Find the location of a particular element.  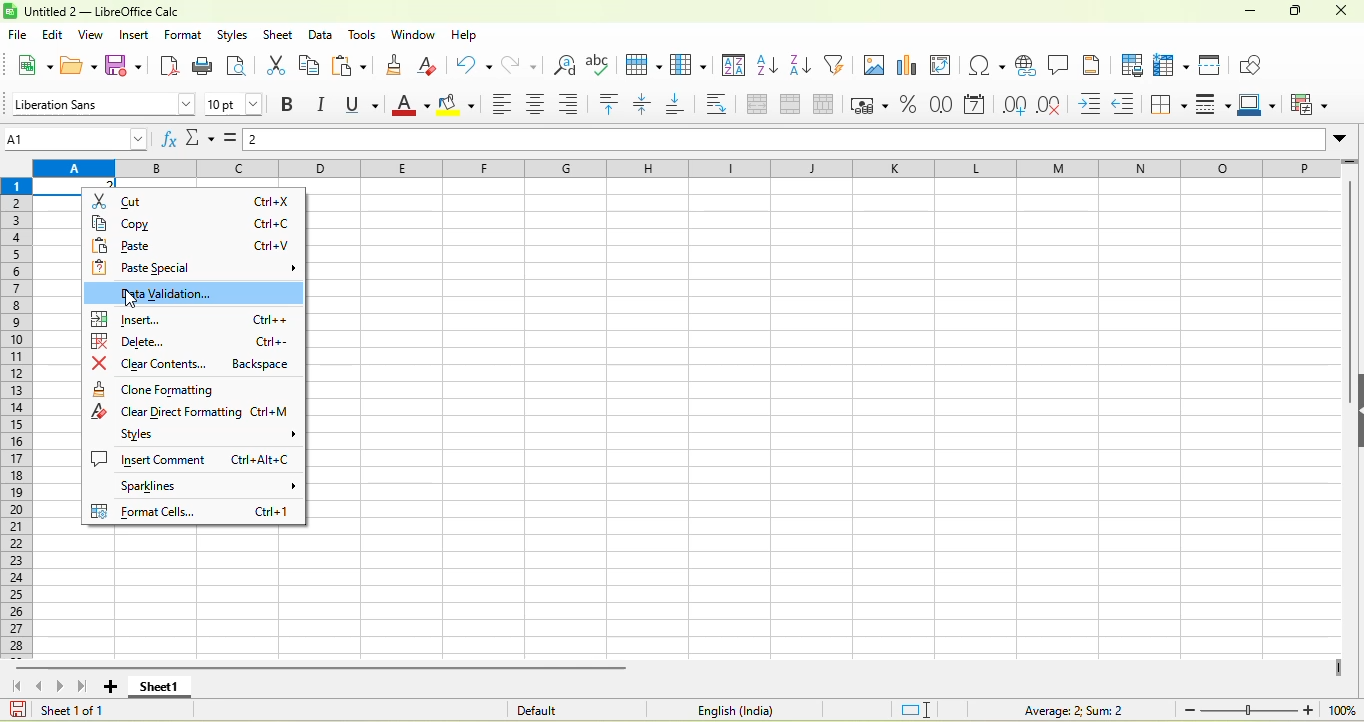

borders is located at coordinates (1170, 105).